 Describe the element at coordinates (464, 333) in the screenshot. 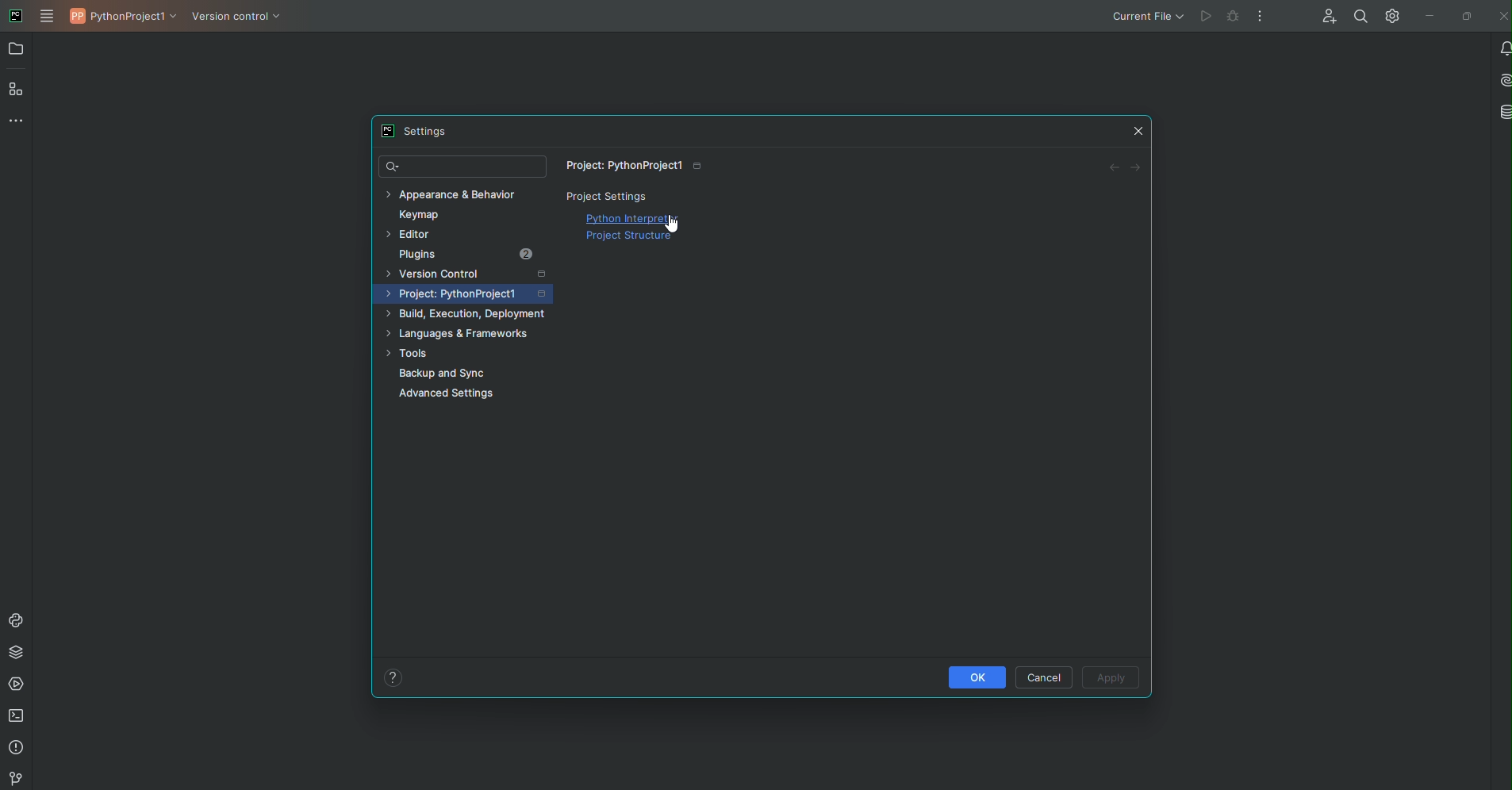

I see `languages and Frameworks` at that location.